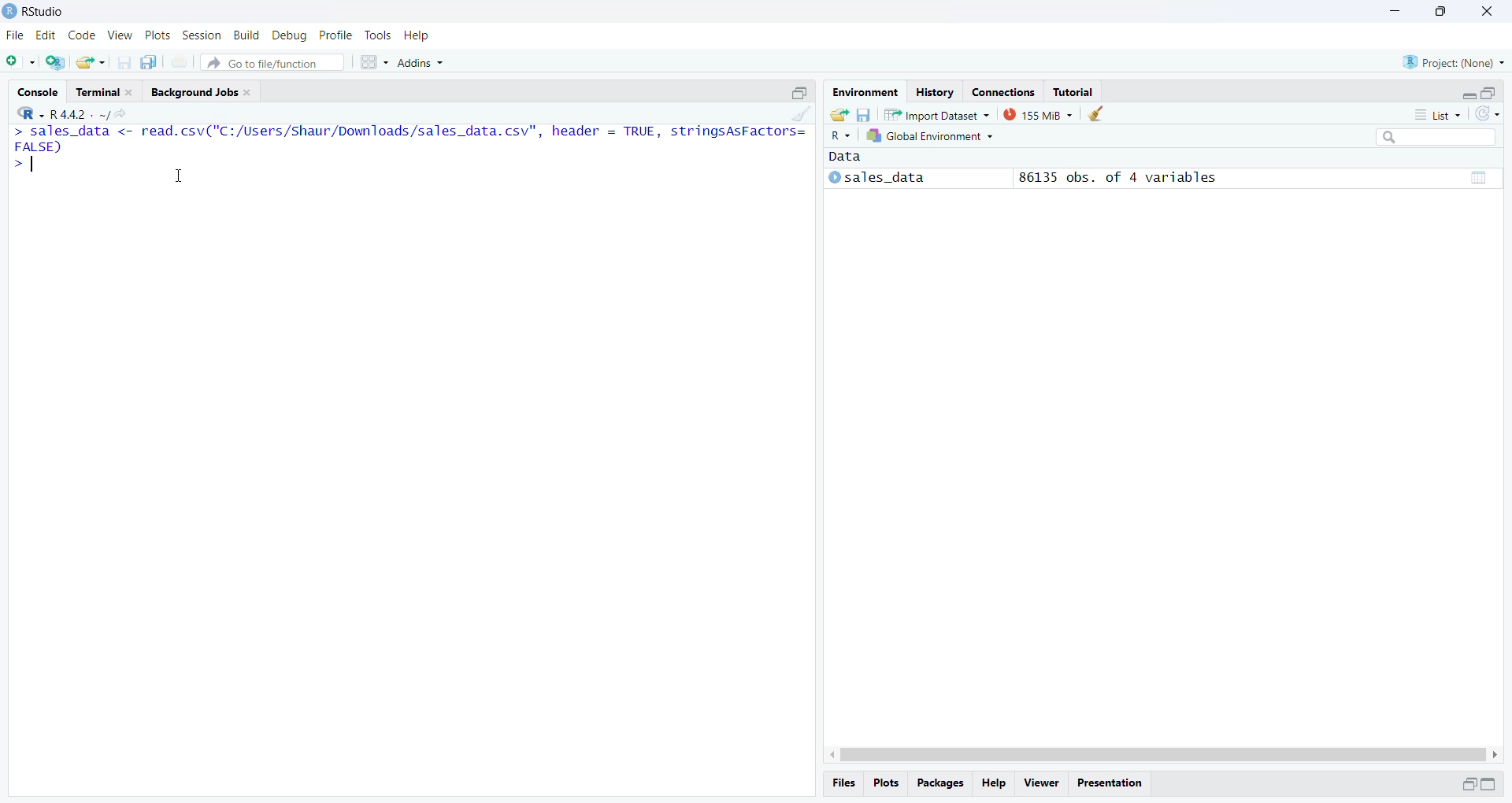 The image size is (1512, 803). I want to click on Clear console (CTRL + L), so click(799, 113).